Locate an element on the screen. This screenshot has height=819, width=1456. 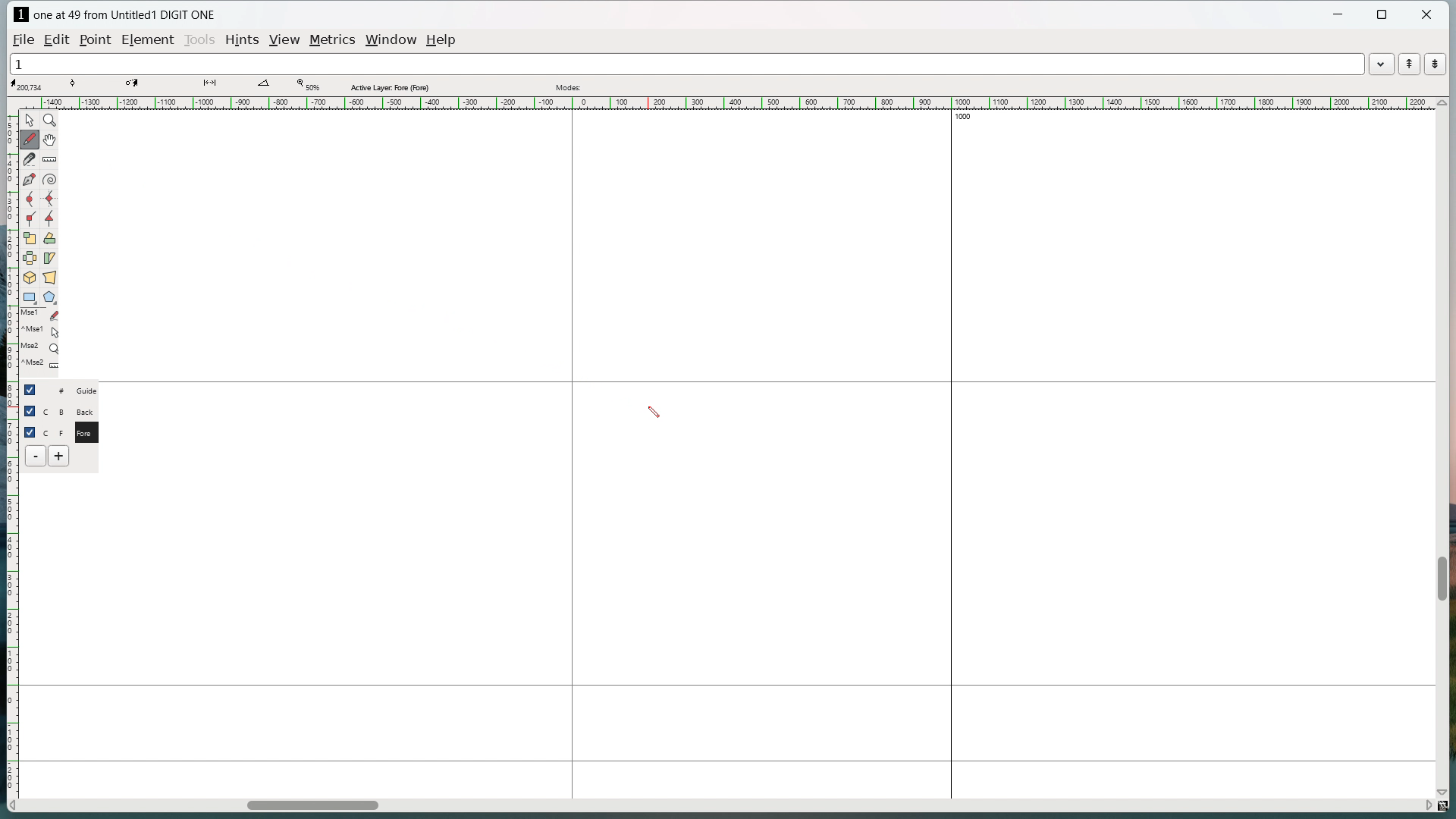
edit is located at coordinates (59, 39).